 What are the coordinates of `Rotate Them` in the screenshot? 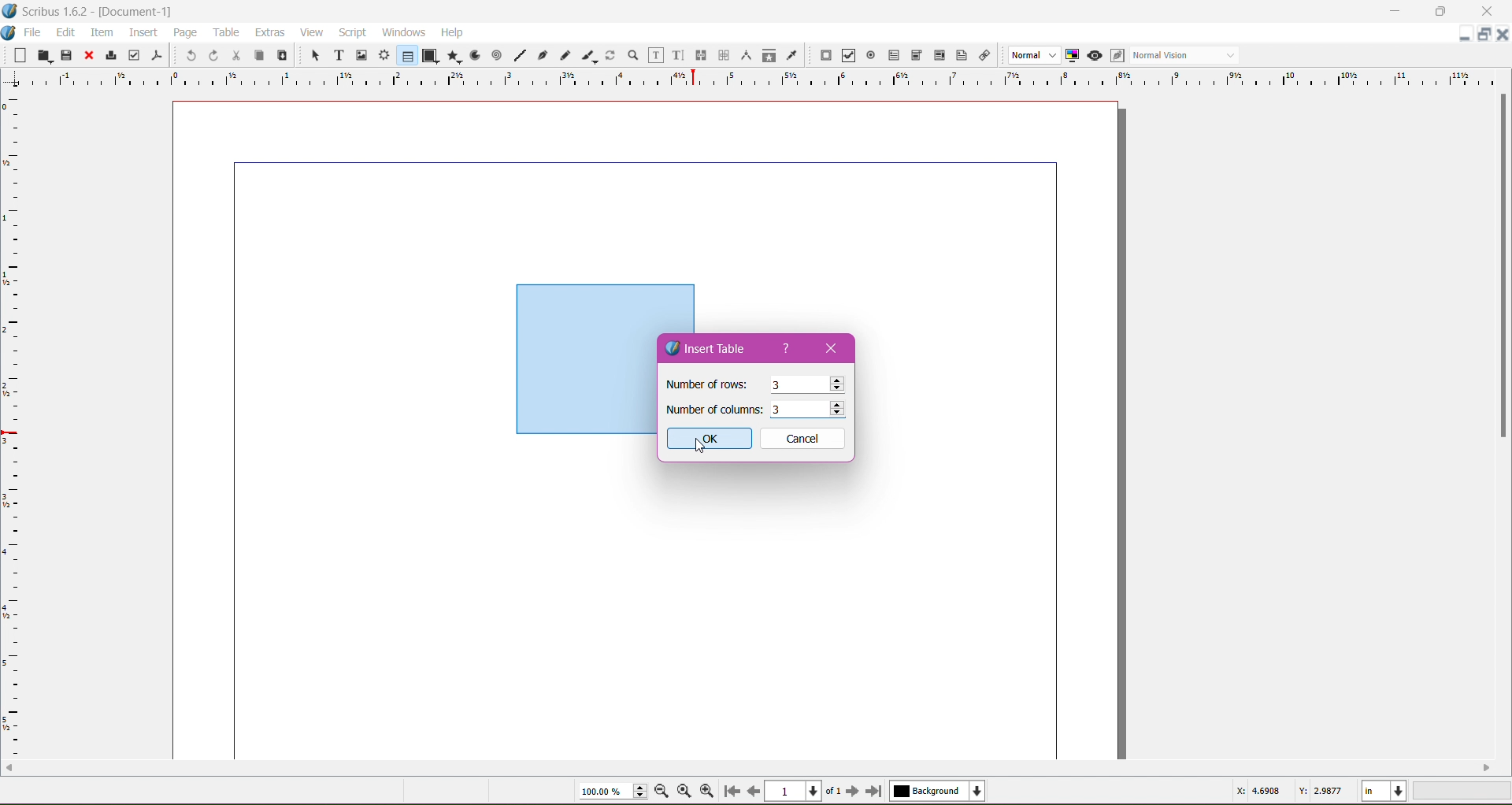 It's located at (609, 54).